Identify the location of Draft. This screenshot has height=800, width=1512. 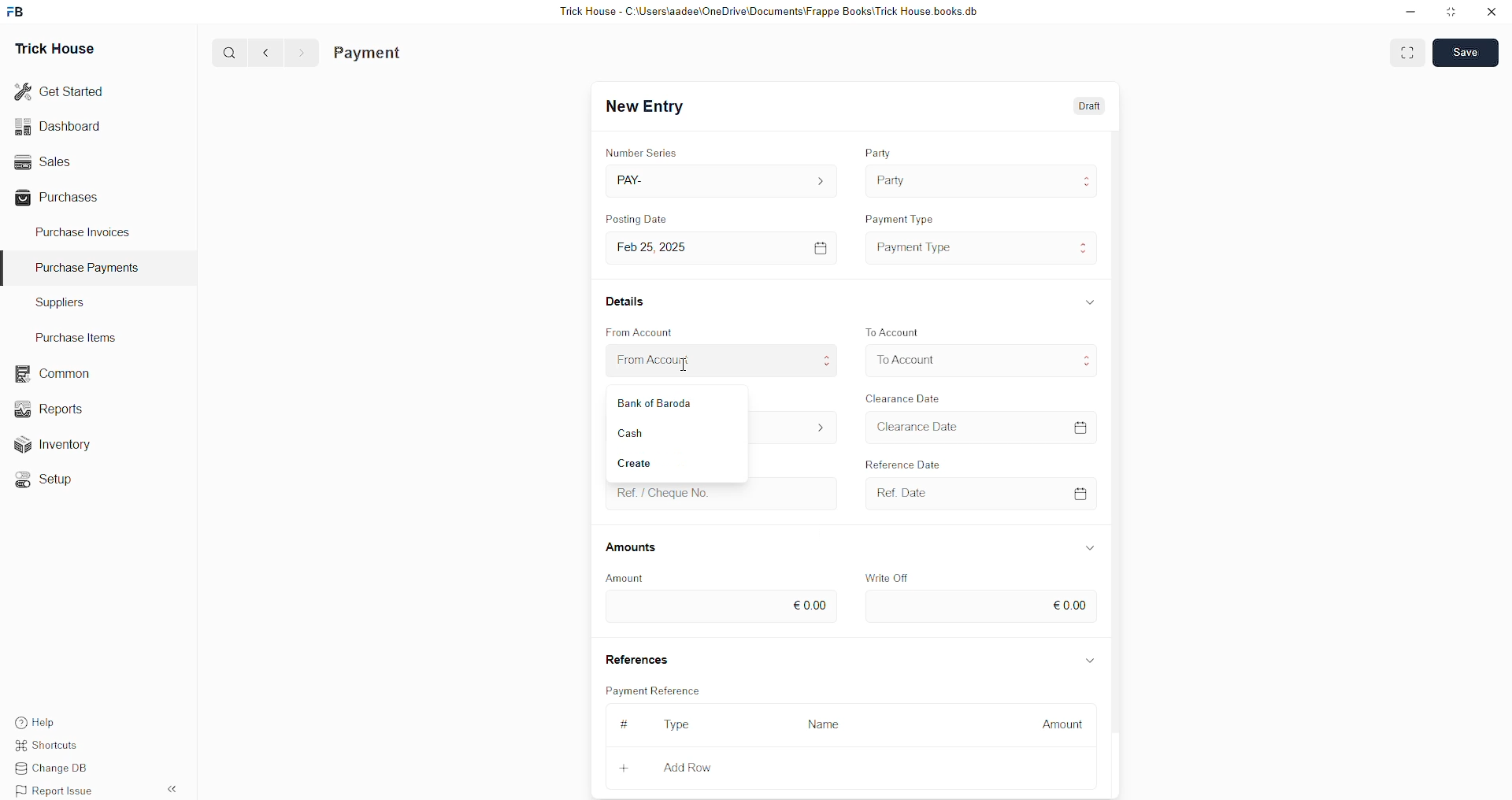
(1091, 107).